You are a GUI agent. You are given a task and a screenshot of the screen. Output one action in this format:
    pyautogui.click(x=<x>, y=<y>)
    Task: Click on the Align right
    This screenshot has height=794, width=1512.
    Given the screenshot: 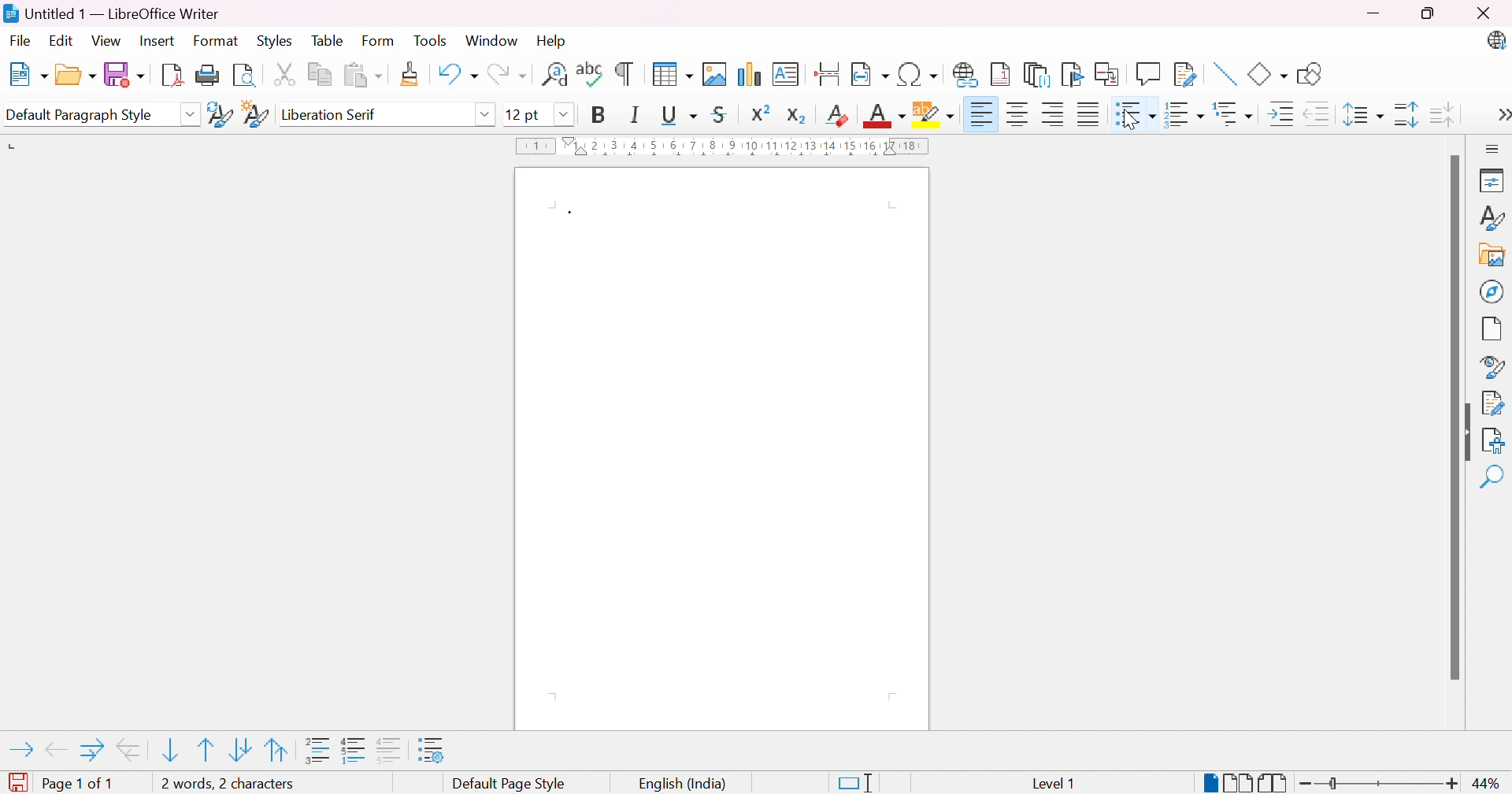 What is the action you would take?
    pyautogui.click(x=985, y=114)
    